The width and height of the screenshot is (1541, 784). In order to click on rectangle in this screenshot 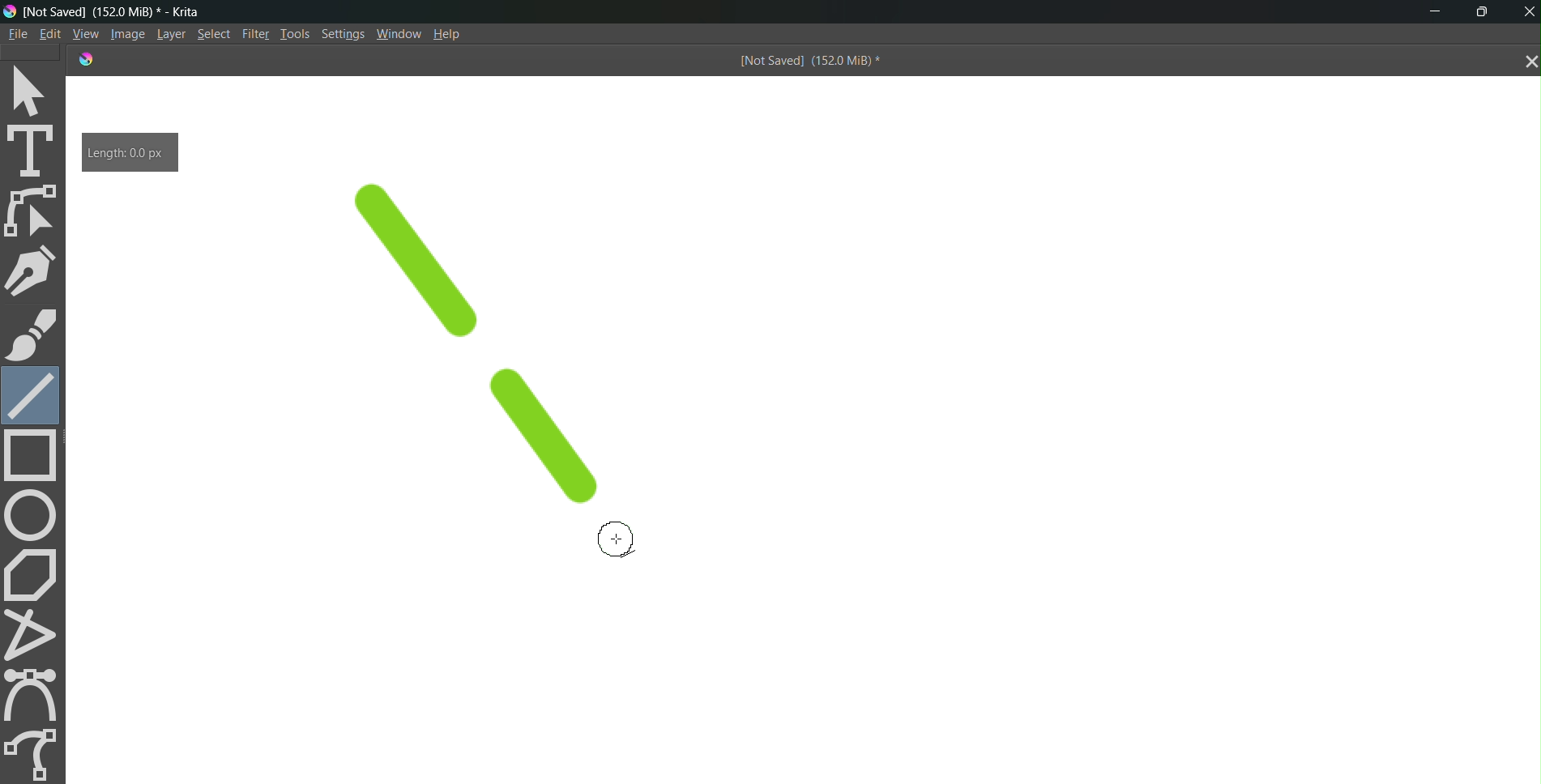, I will do `click(36, 457)`.